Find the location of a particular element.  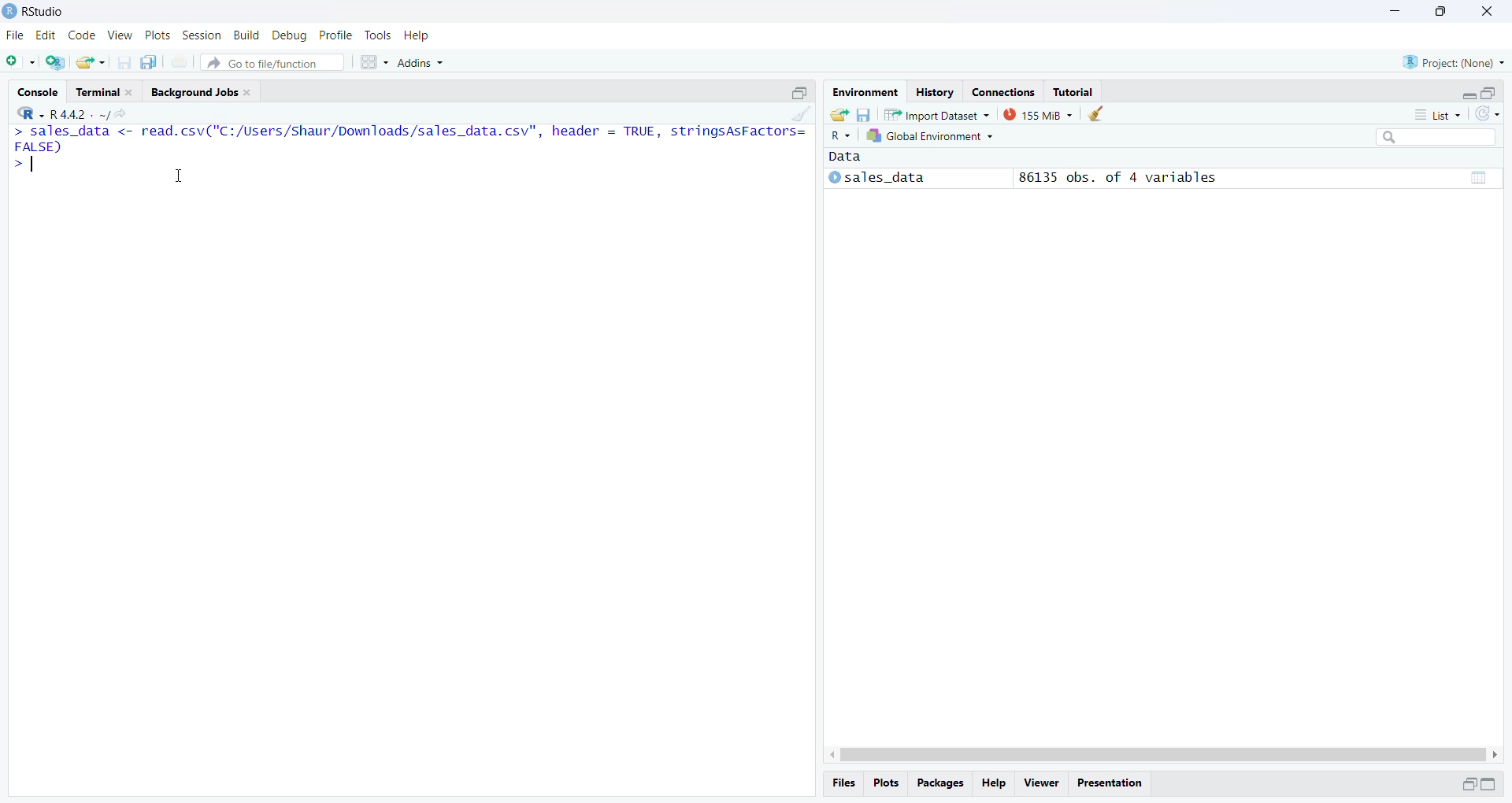

Edit is located at coordinates (47, 37).